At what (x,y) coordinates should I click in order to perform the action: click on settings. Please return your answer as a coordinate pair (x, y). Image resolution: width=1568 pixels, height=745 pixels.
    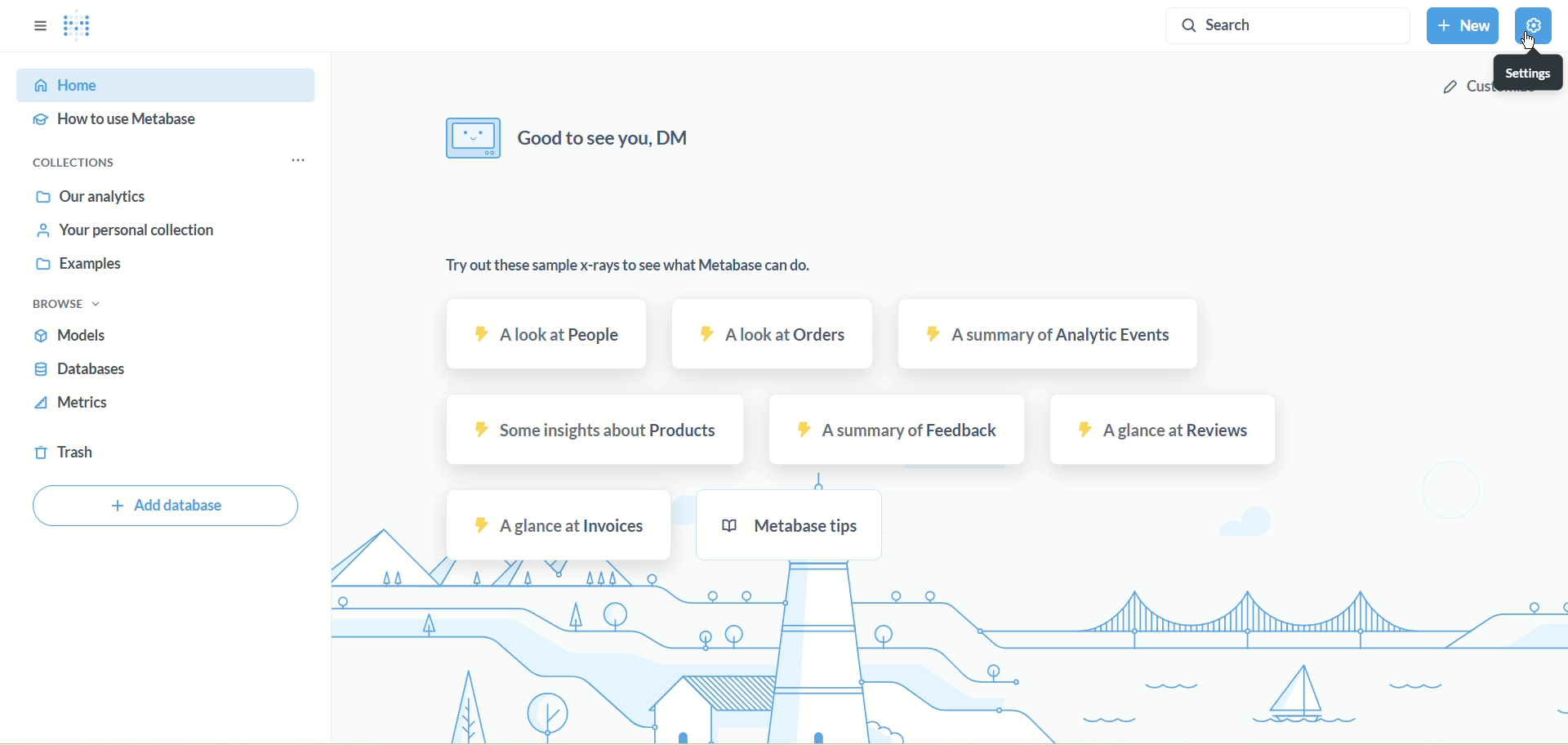
    Looking at the image, I should click on (1532, 25).